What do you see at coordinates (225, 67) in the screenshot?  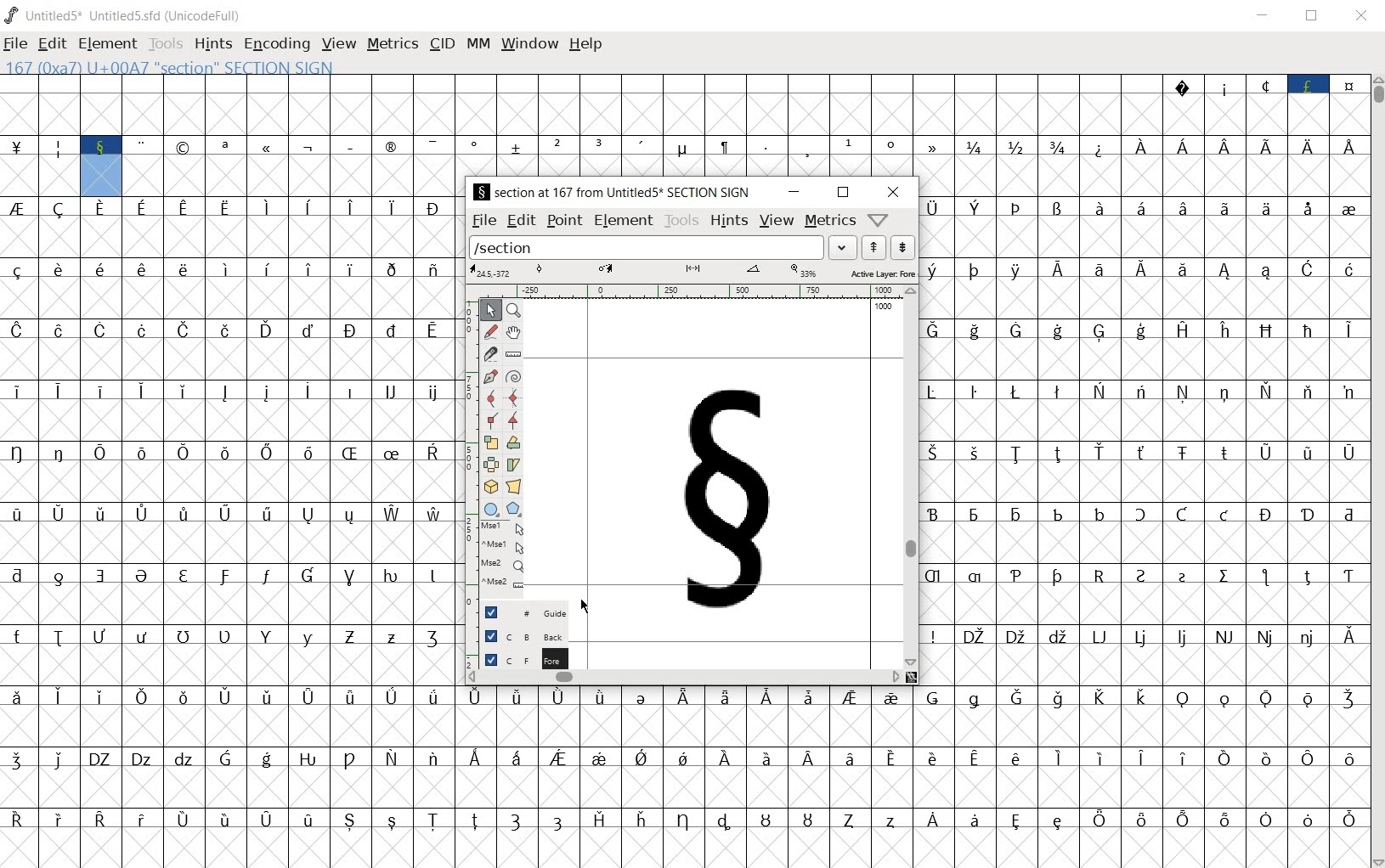 I see `167 (0xA7) U+00A7 "SECTION" SECTION SIGN` at bounding box center [225, 67].